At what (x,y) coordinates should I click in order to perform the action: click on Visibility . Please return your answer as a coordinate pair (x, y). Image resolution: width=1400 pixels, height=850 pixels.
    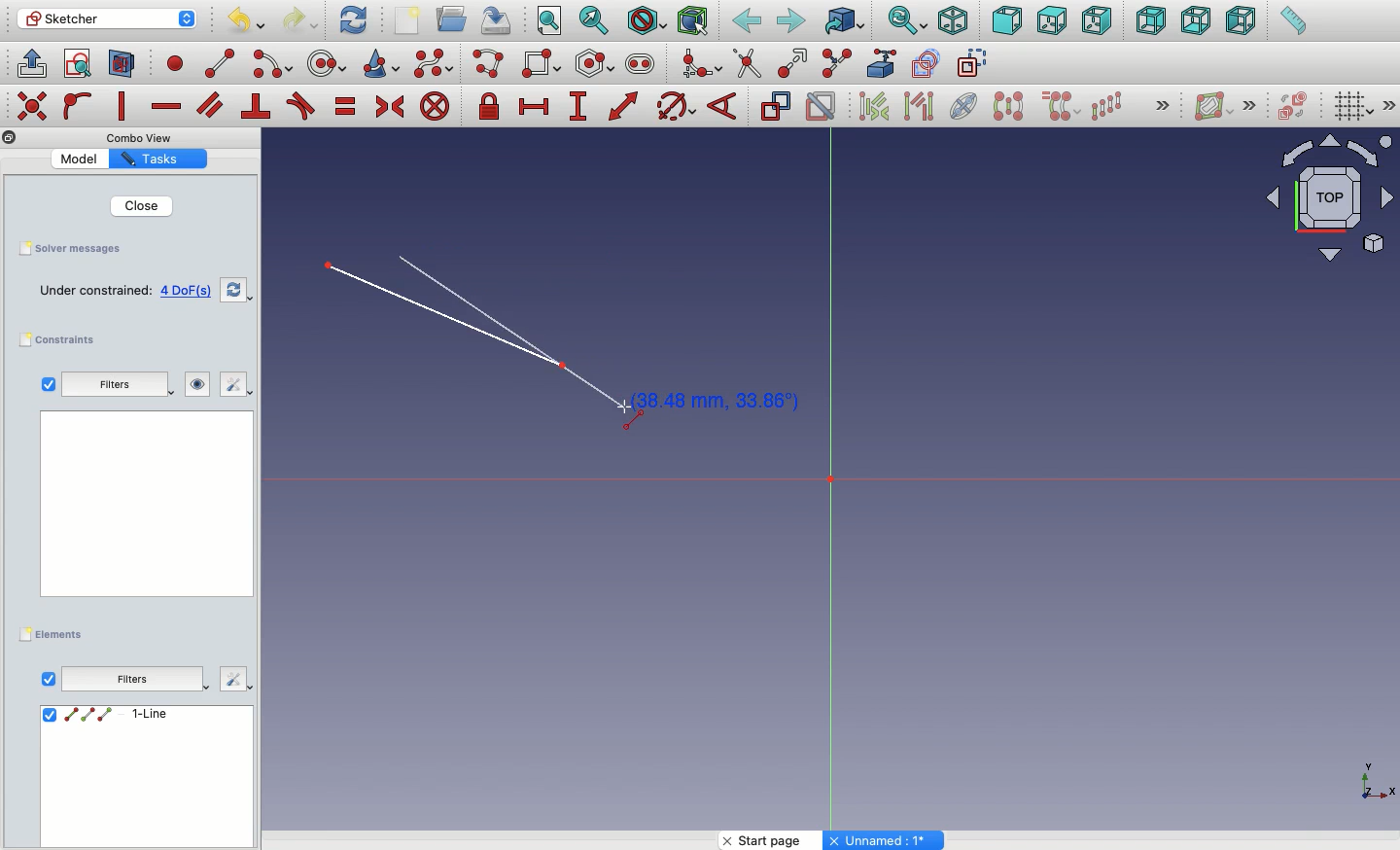
    Looking at the image, I should click on (188, 384).